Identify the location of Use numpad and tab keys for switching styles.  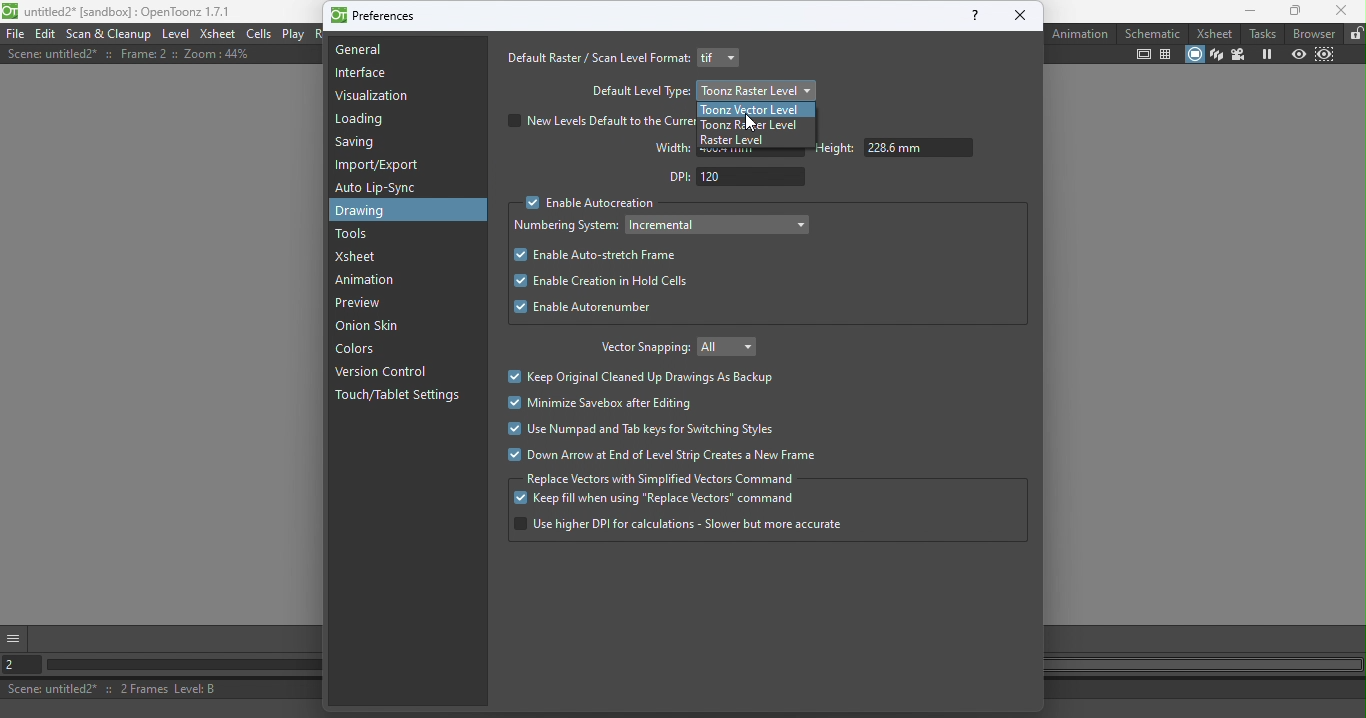
(641, 431).